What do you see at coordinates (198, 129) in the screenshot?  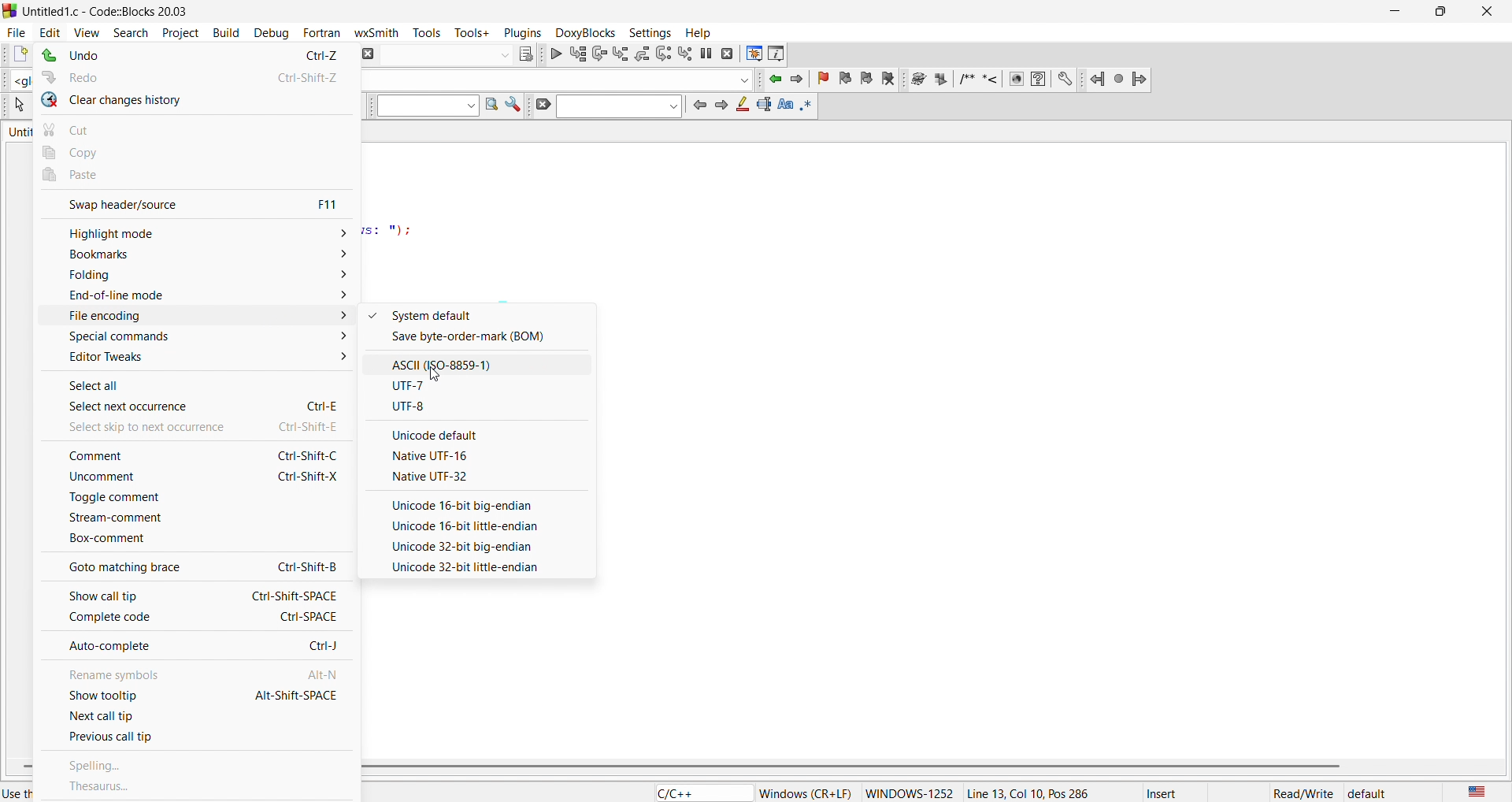 I see `cut` at bounding box center [198, 129].